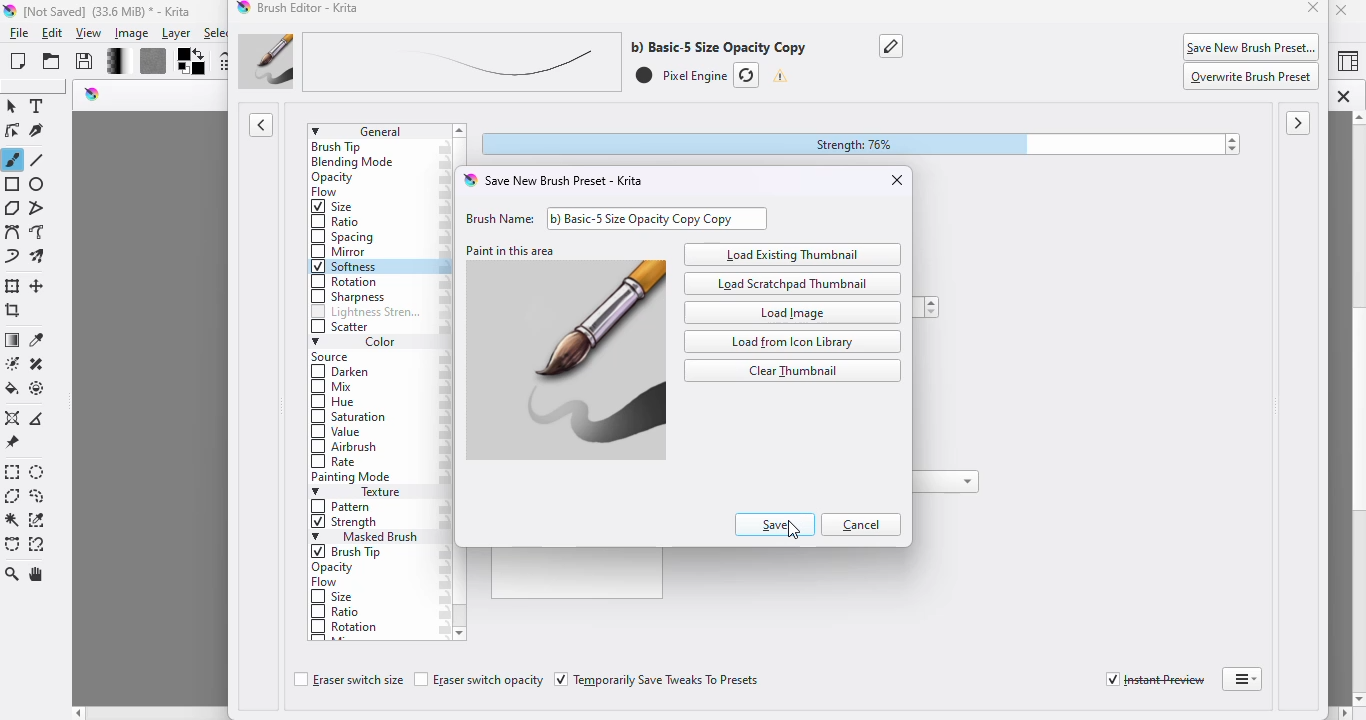  Describe the element at coordinates (149, 62) in the screenshot. I see `fill patterns` at that location.